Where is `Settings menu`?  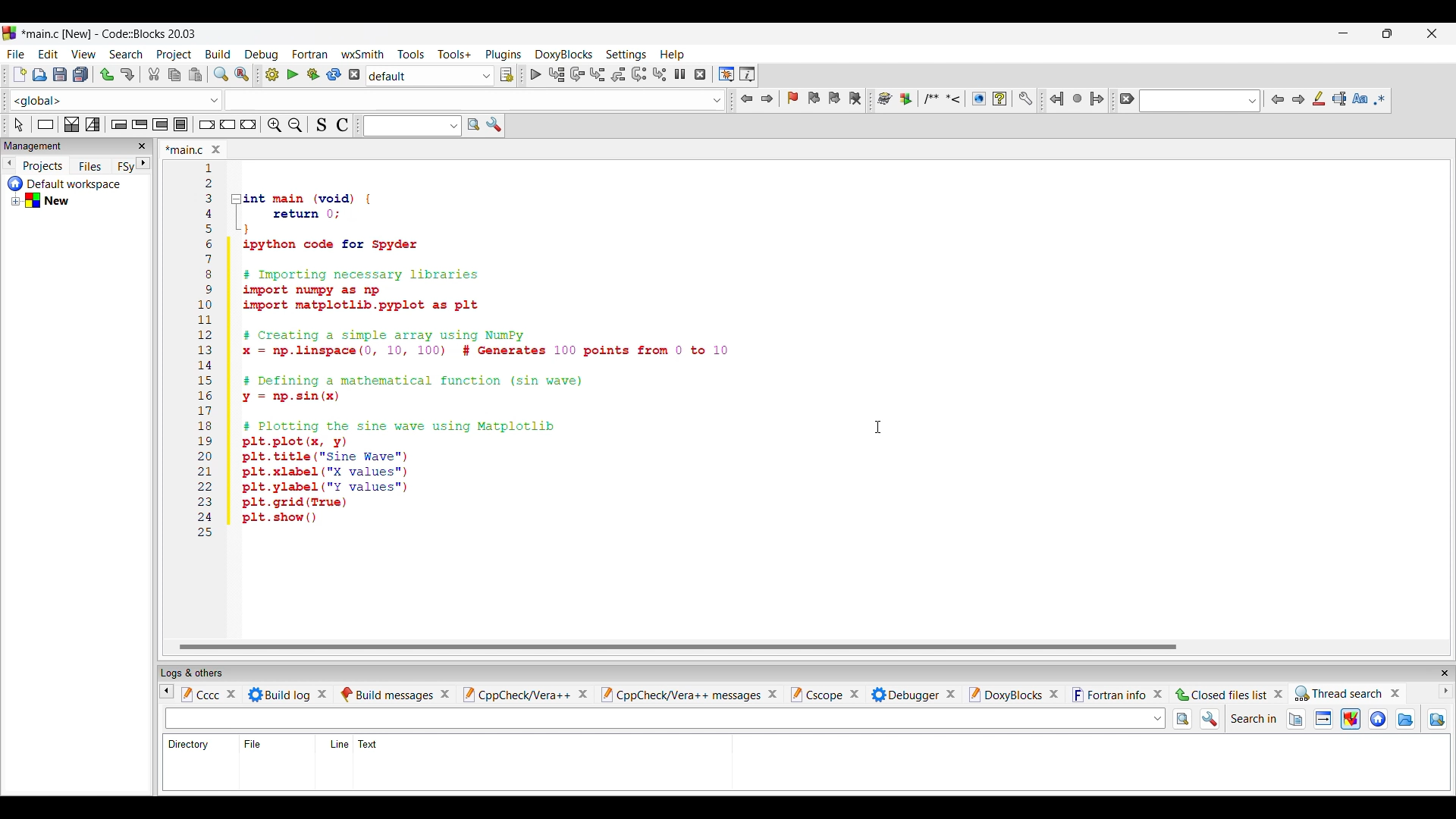 Settings menu is located at coordinates (626, 55).